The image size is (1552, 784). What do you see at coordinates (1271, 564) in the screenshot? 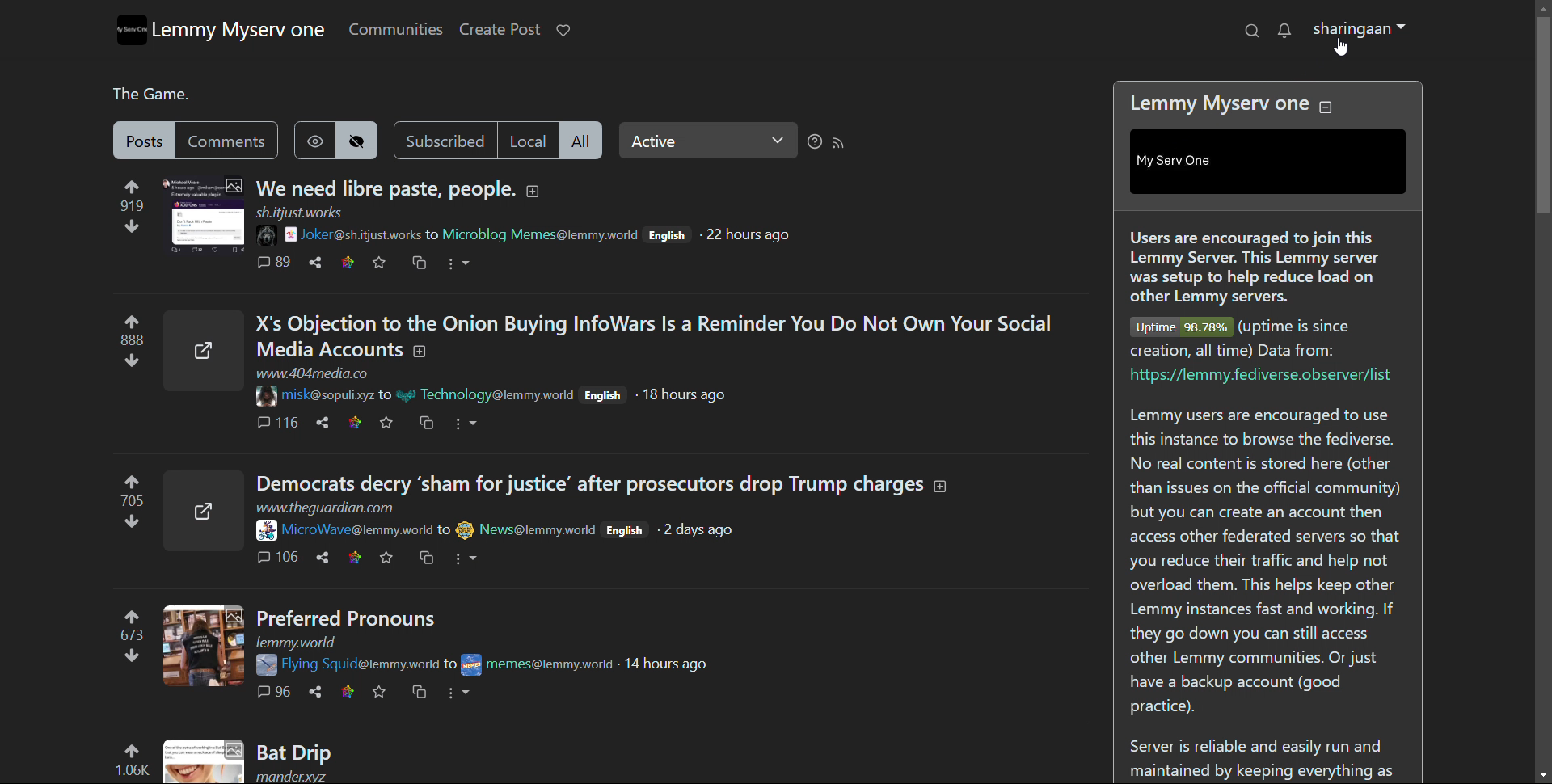
I see `Lemmy users are encouraged to use
this instance to browse the fediverse.
No real content is stored here (other
than issues on the official community)
but you can create an account then
access other federated servers so that
you reduce their traffic and help not
overload them. This helps keep other
Lemmy instances fast and working. If
they go down you can still access
other Lemmy communities. Or just
have a backup account (good
practice).` at bounding box center [1271, 564].